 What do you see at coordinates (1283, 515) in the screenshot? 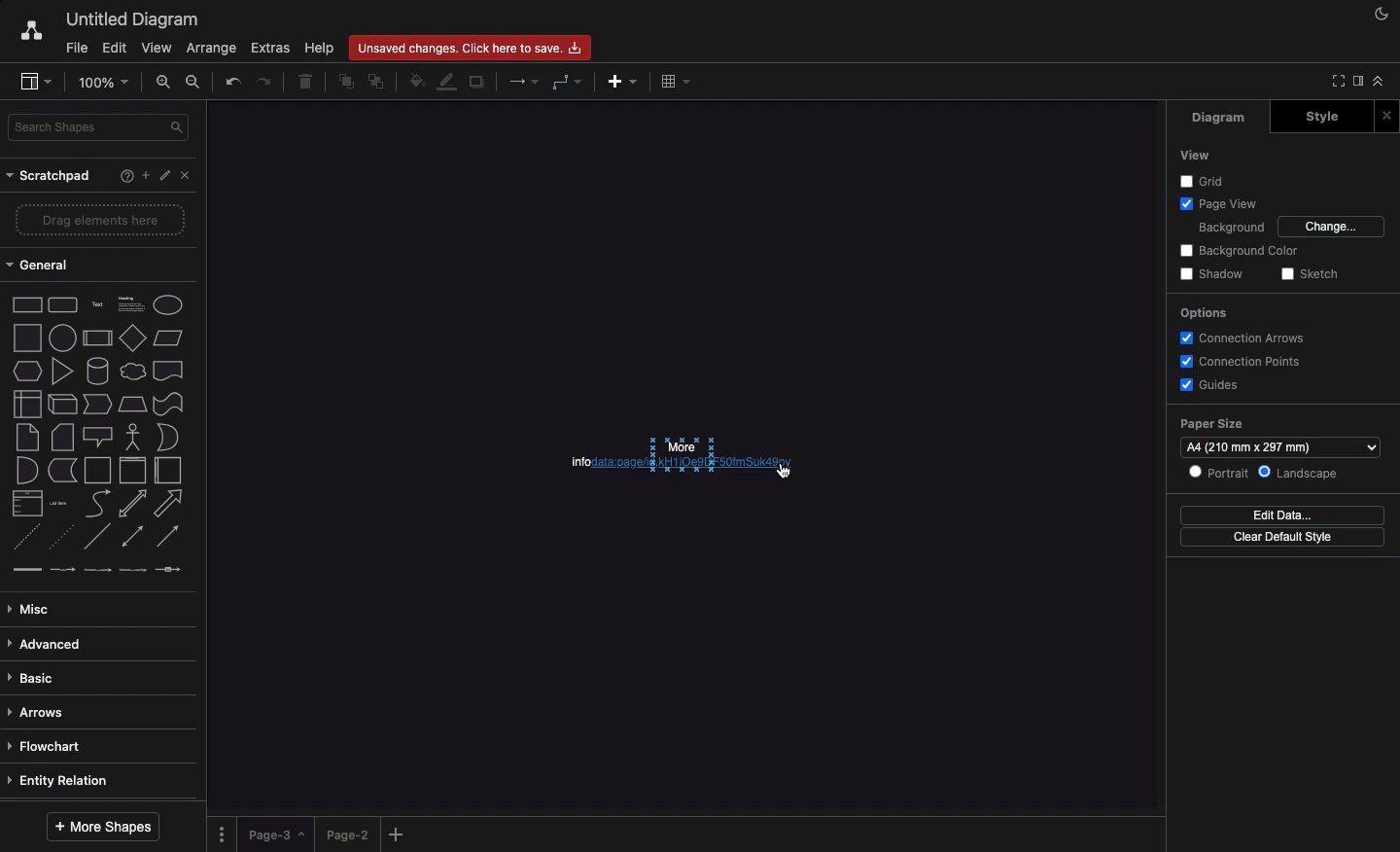
I see `Edit data` at bounding box center [1283, 515].